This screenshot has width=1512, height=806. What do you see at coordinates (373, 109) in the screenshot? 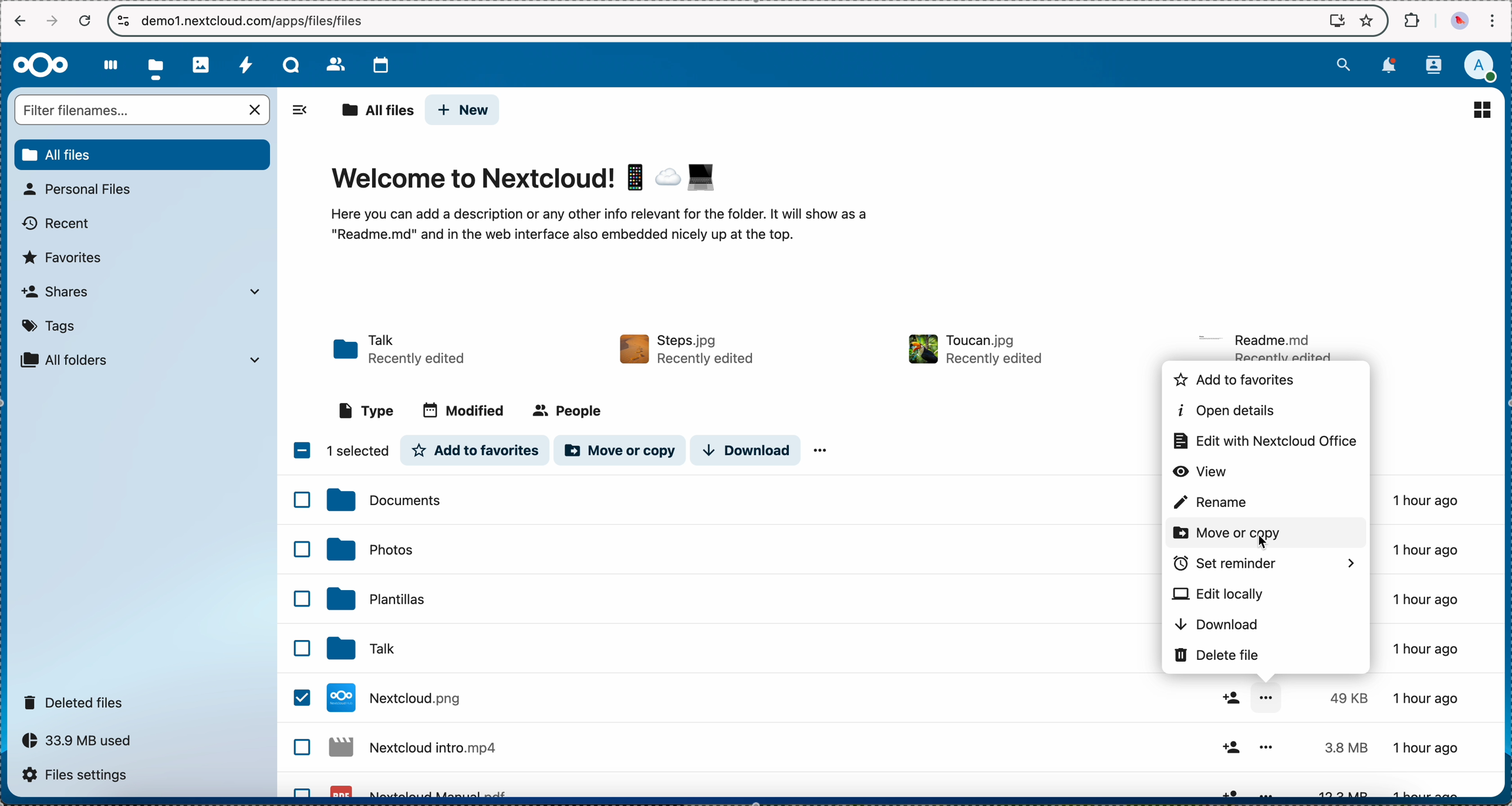
I see `all files` at bounding box center [373, 109].